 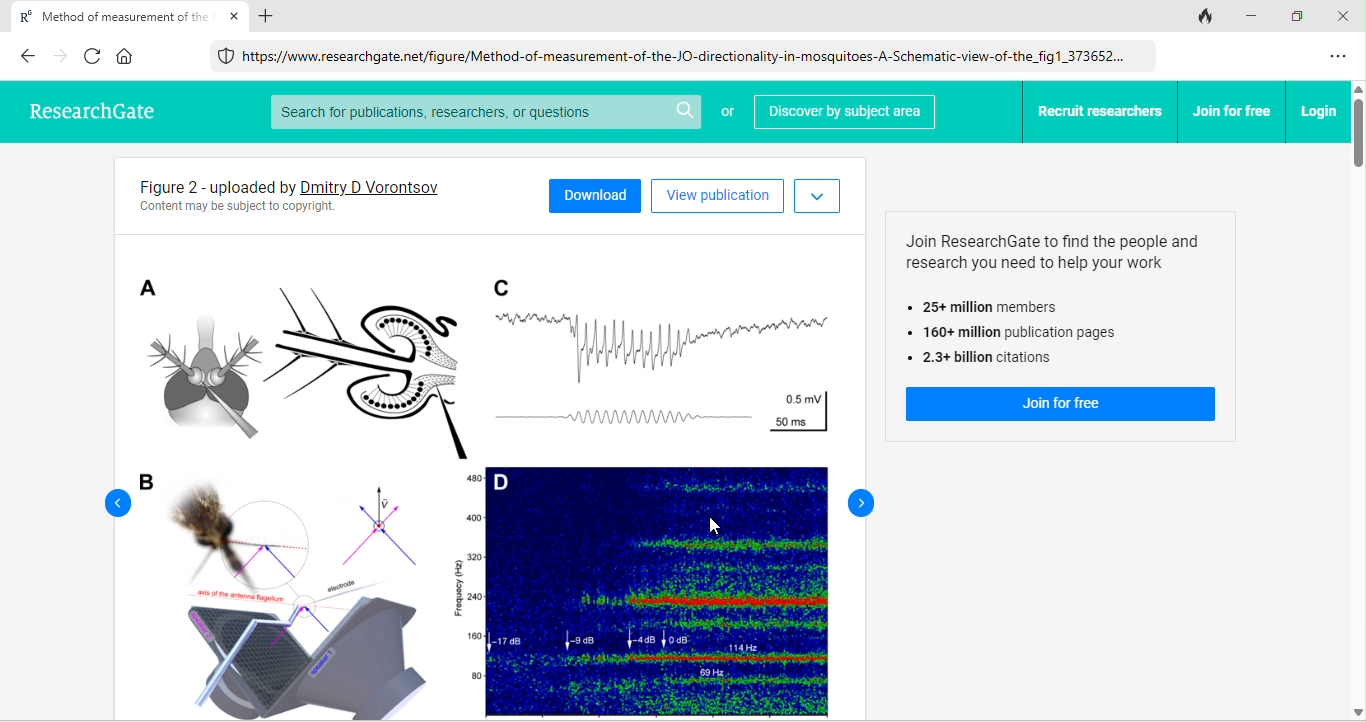 I want to click on download, so click(x=595, y=193).